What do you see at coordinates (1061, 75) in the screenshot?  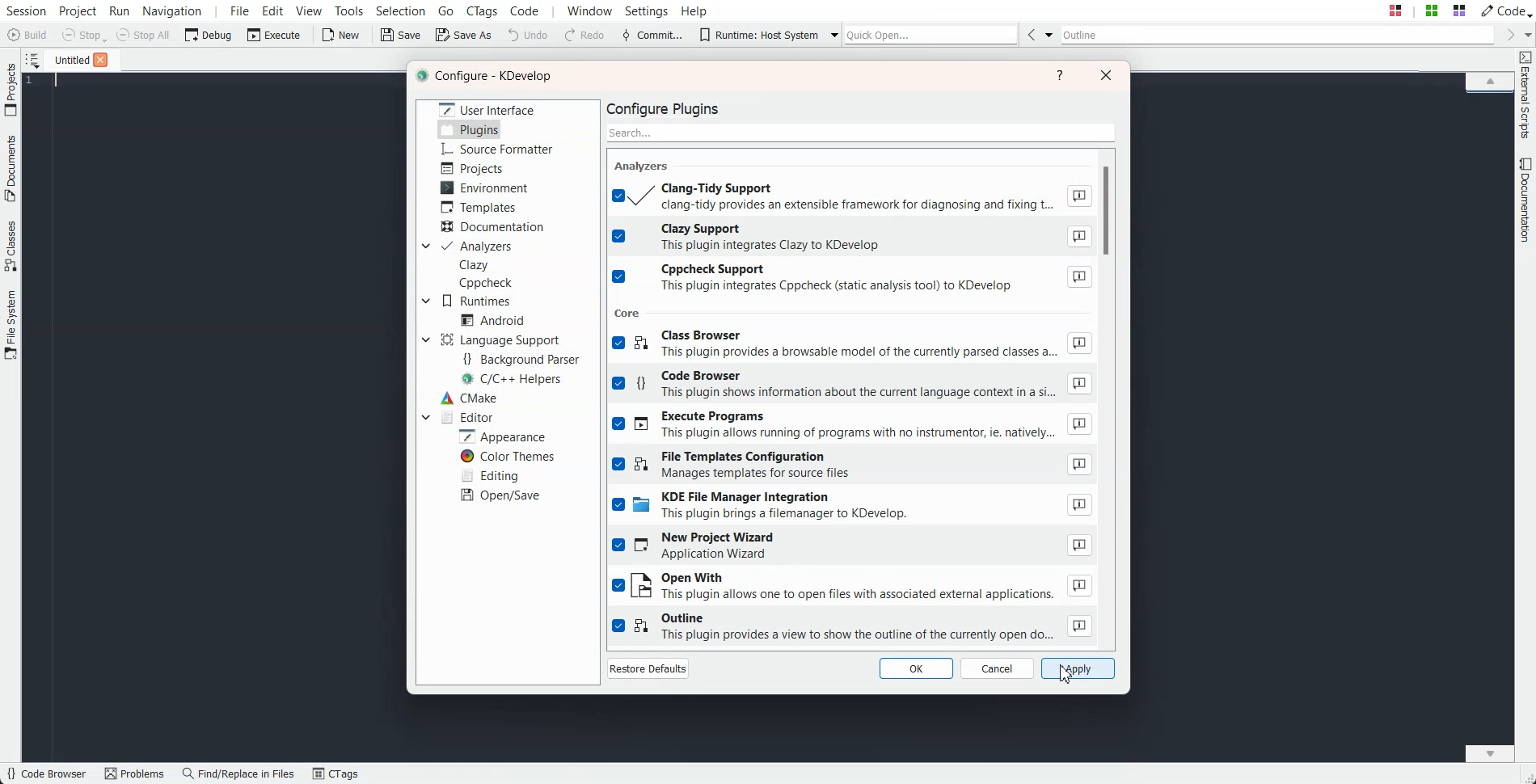 I see `Help` at bounding box center [1061, 75].